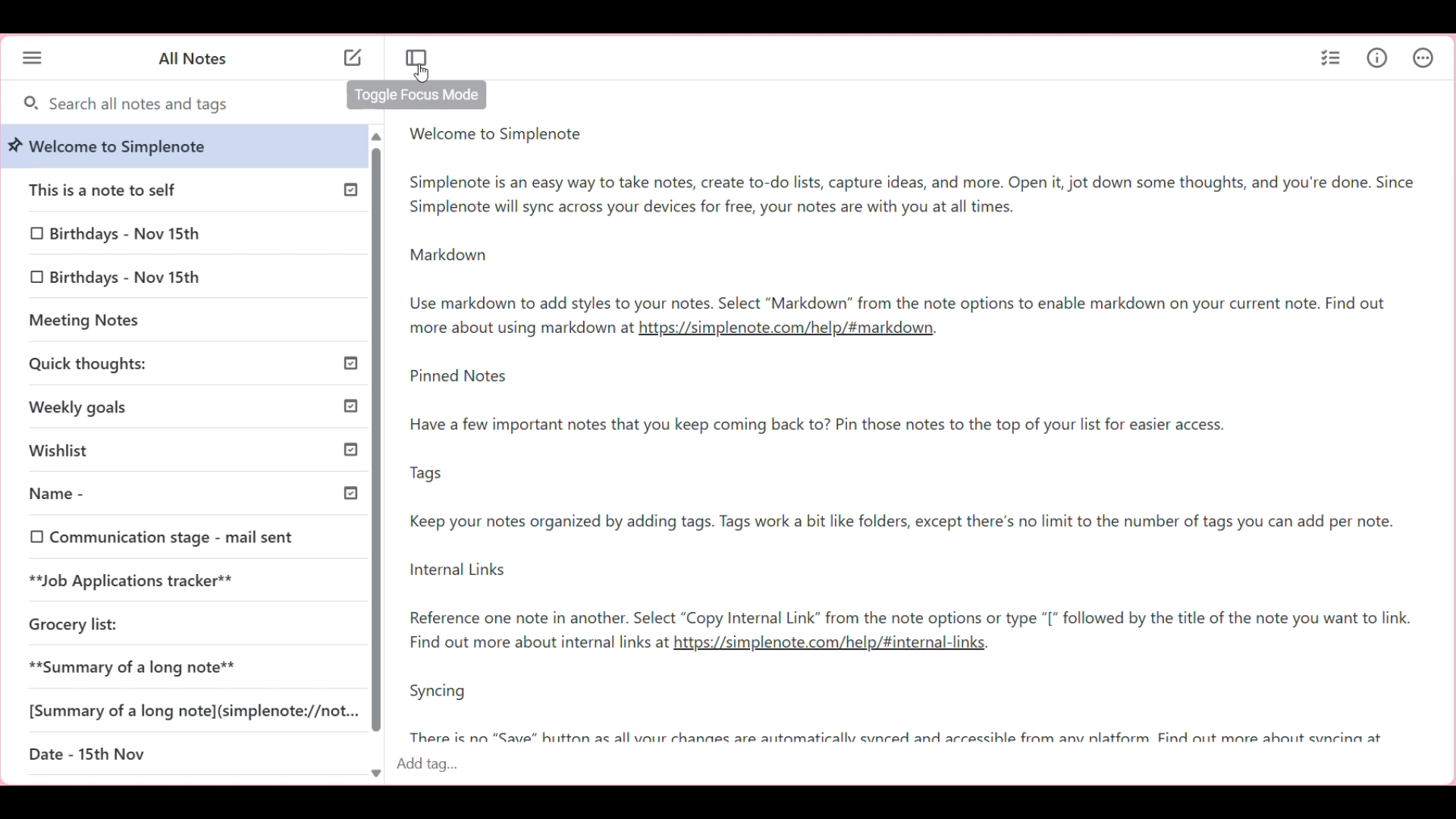 The width and height of the screenshot is (1456, 819). I want to click on Description of current selection by cursor, so click(416, 95).